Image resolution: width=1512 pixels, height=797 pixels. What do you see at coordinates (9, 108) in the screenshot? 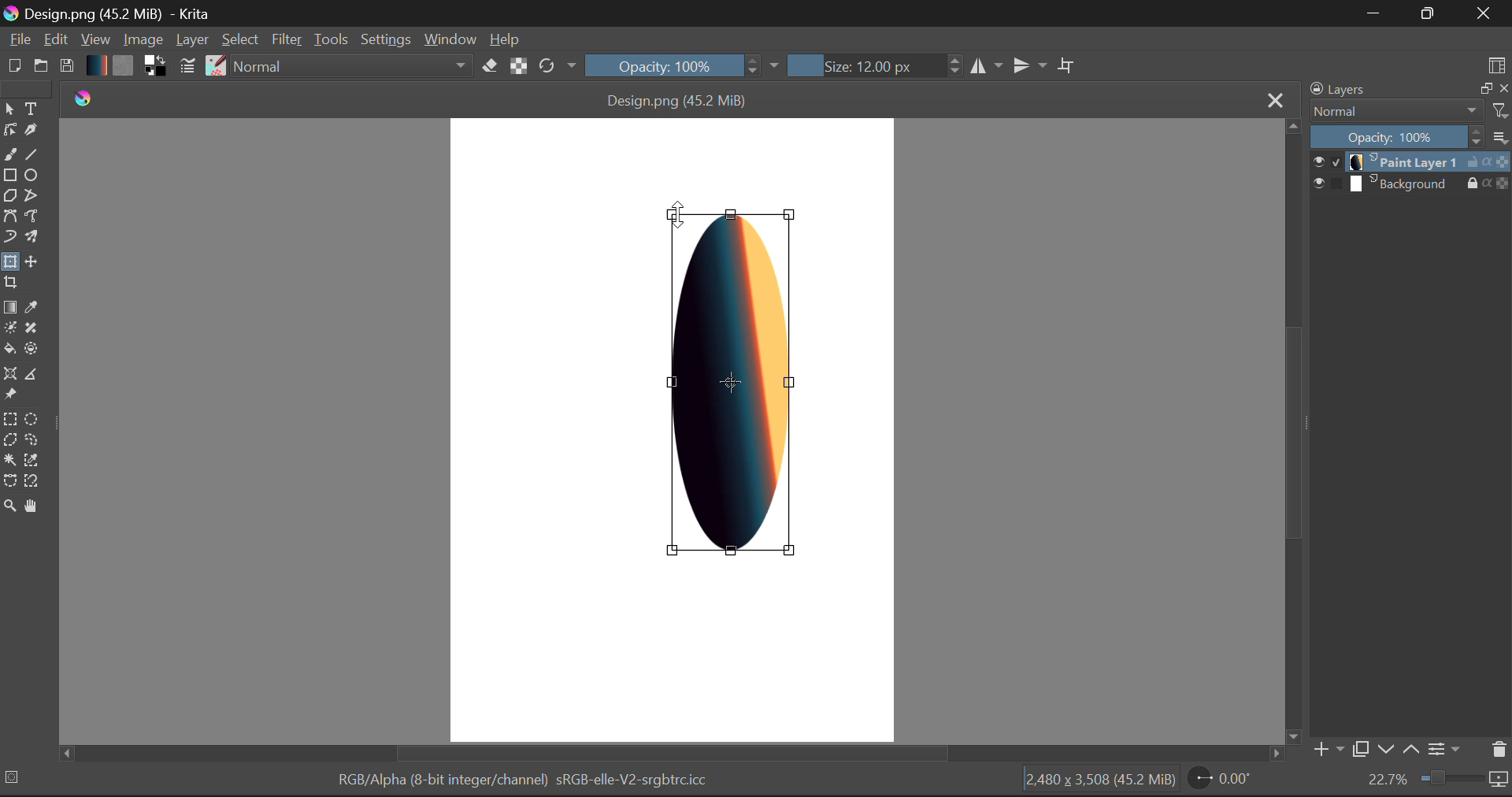
I see `Select` at bounding box center [9, 108].